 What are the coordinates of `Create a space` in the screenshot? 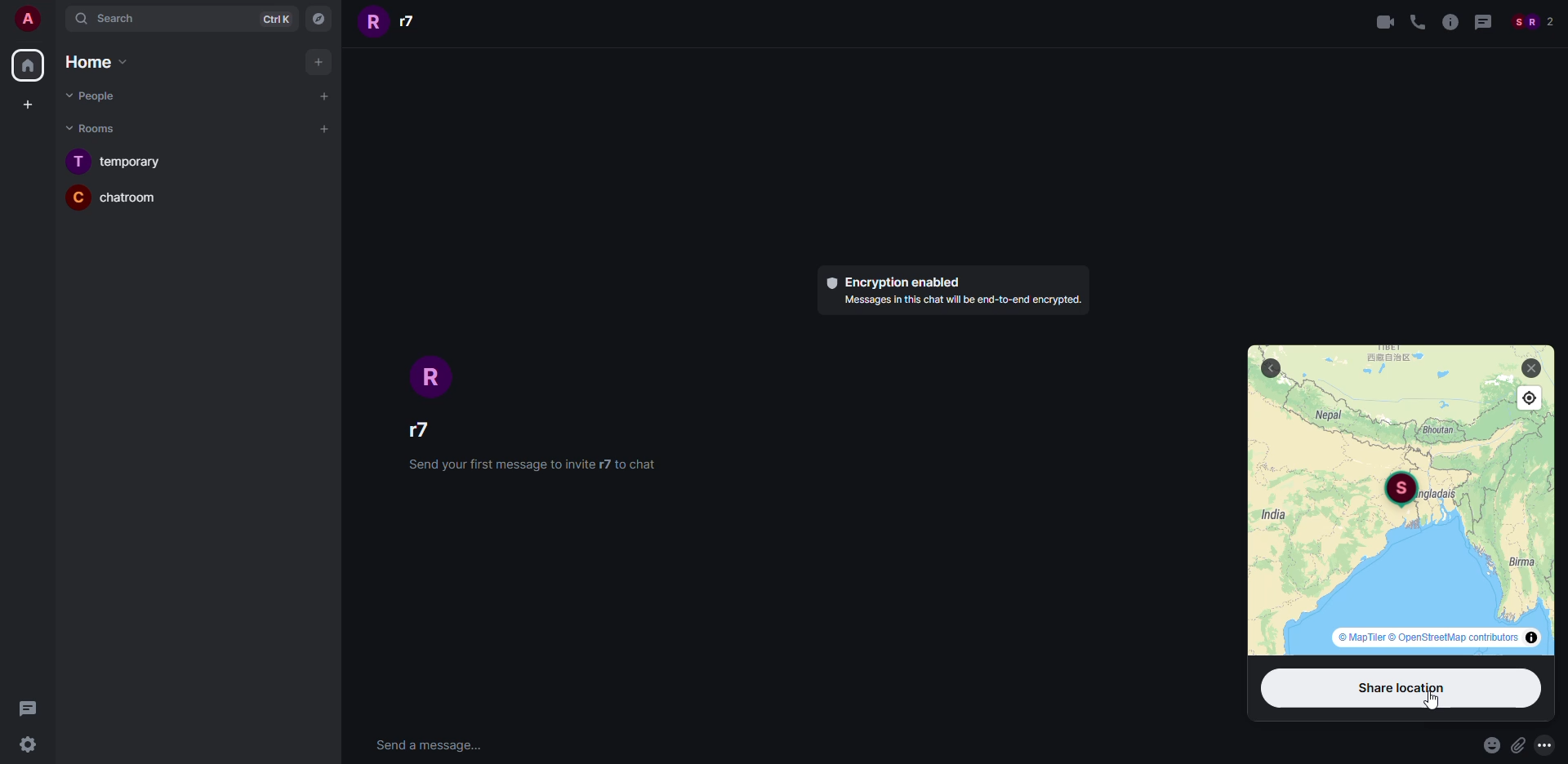 It's located at (30, 106).